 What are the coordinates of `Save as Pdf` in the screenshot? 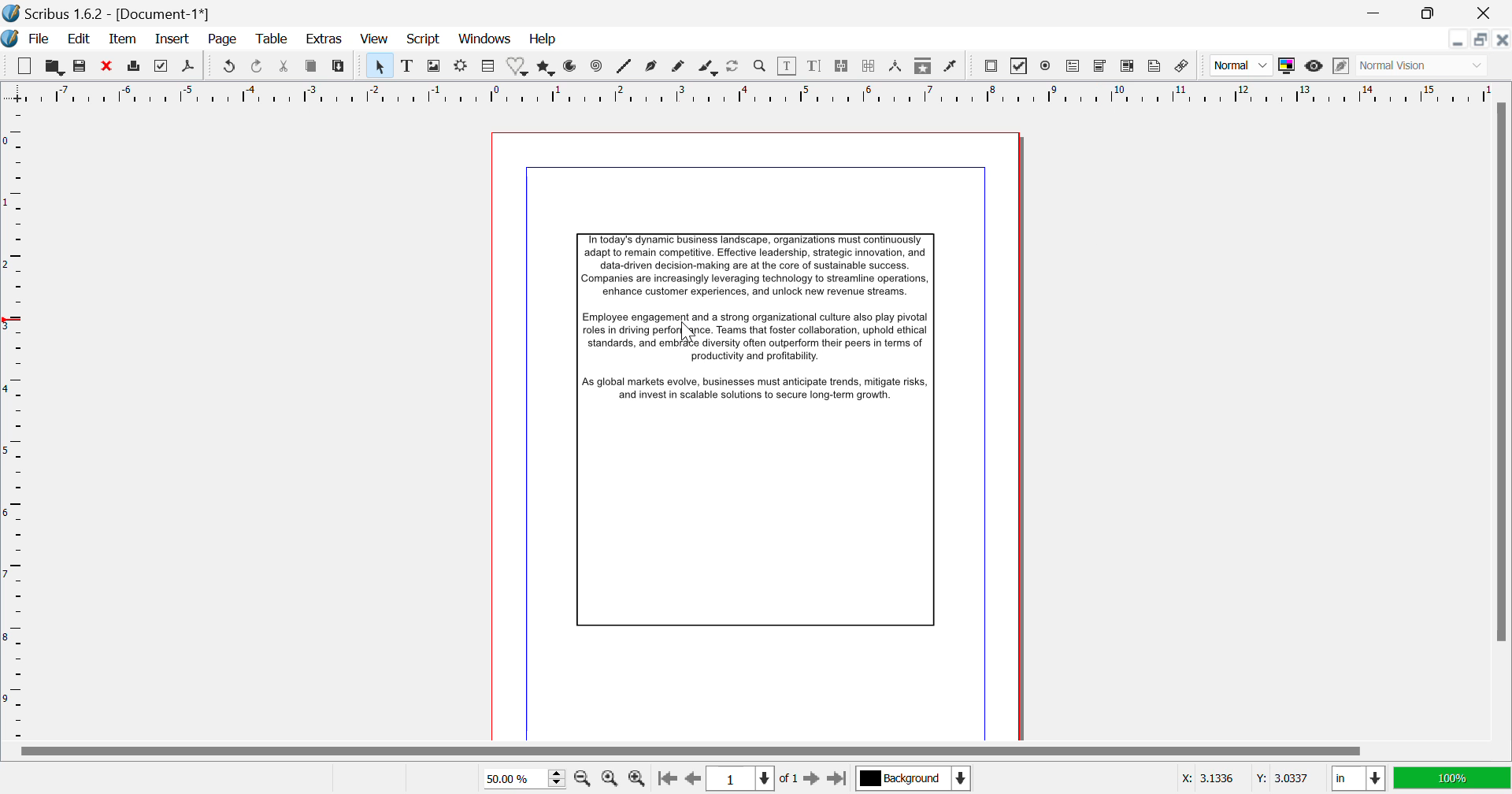 It's located at (189, 67).